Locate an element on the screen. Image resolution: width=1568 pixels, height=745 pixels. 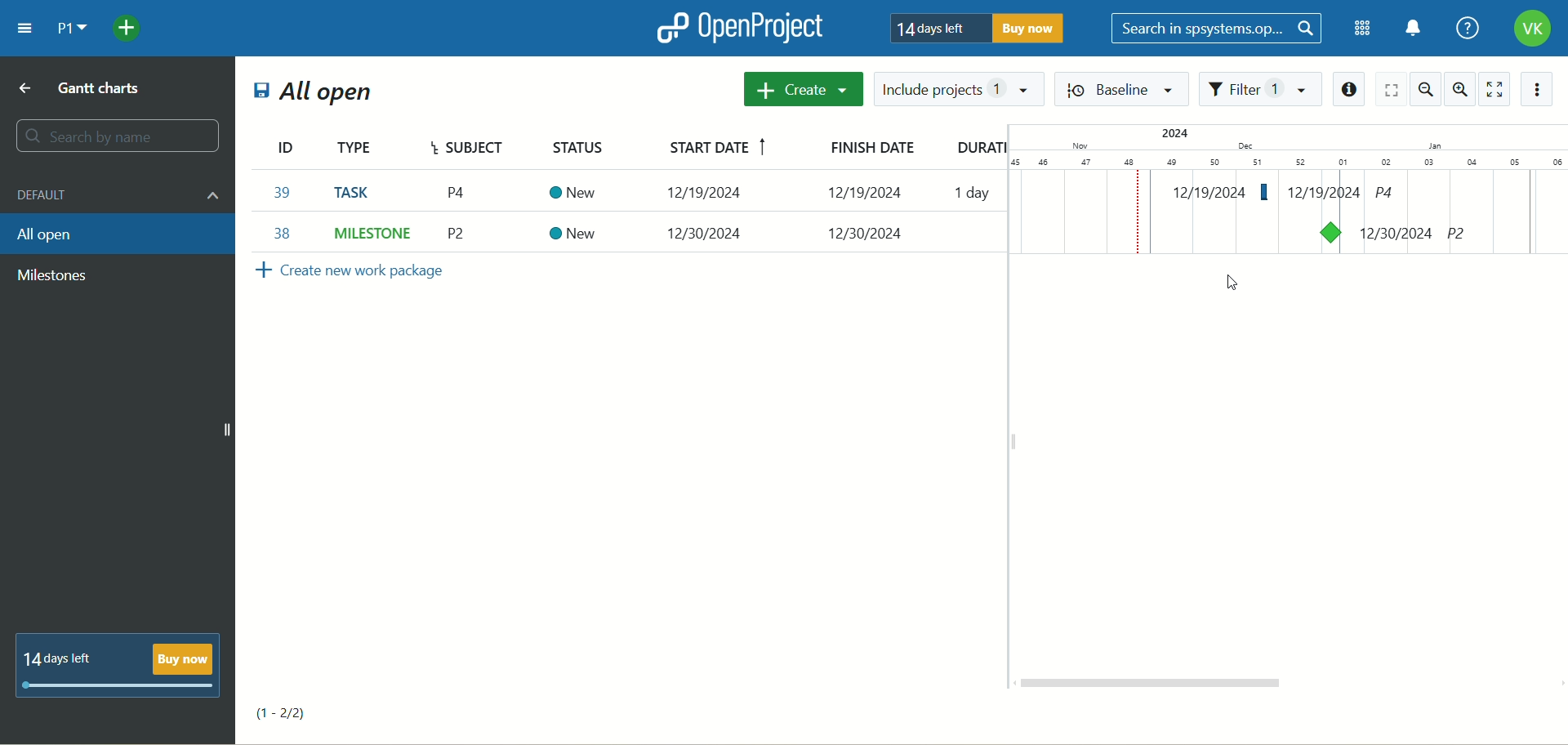
New is located at coordinates (575, 194).